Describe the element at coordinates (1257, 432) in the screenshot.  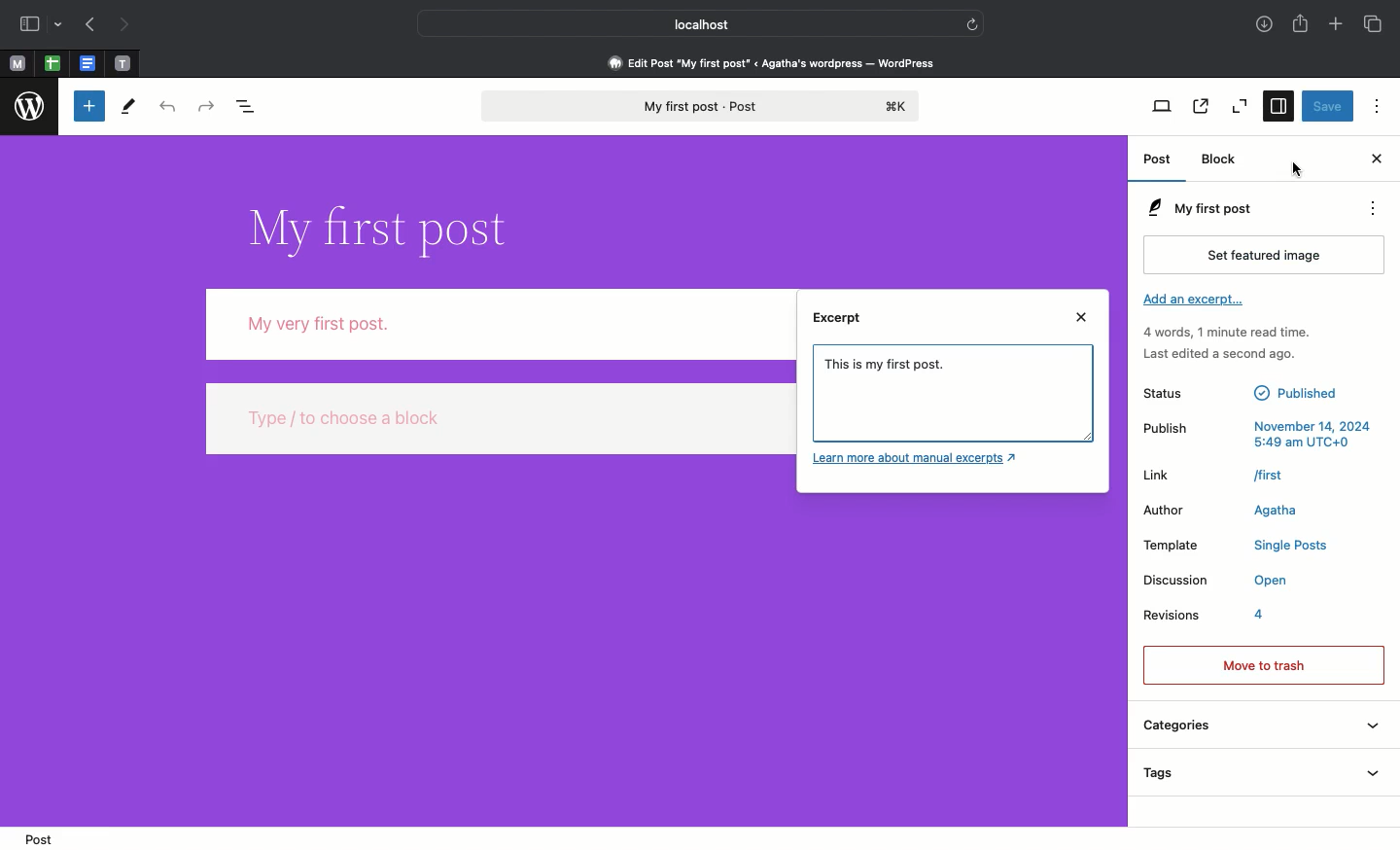
I see `Publish` at that location.